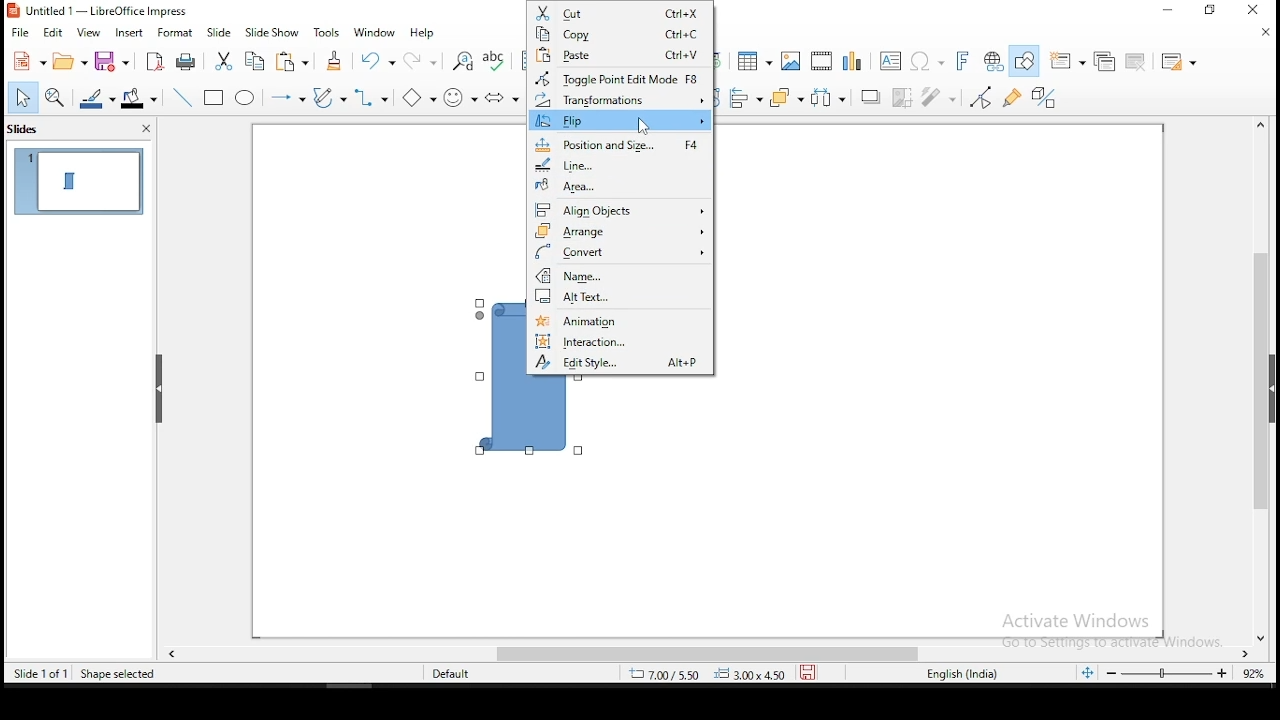 The height and width of the screenshot is (720, 1280). I want to click on slide 1 of 1, so click(40, 672).